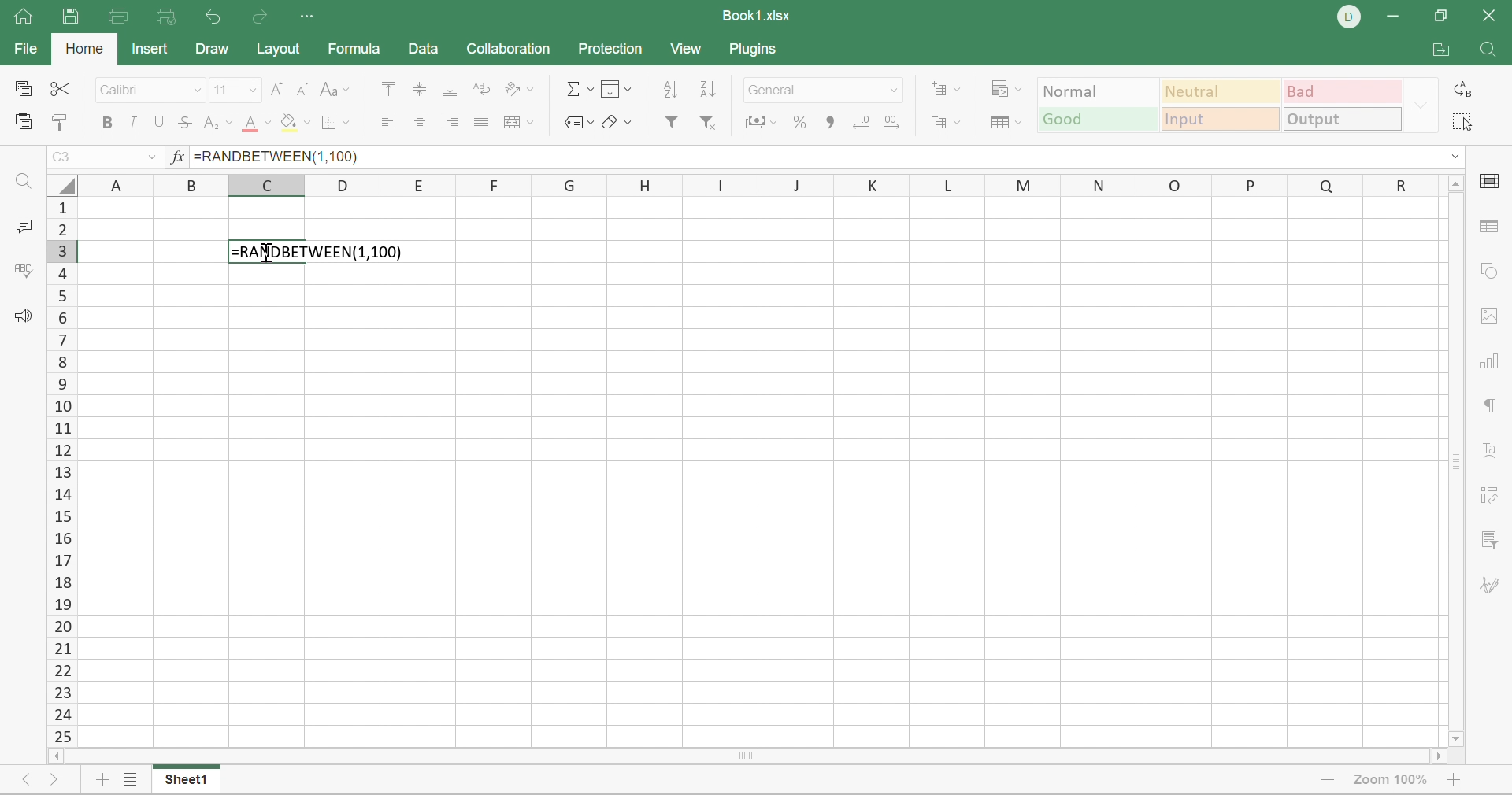 Image resolution: width=1512 pixels, height=795 pixels. What do you see at coordinates (744, 756) in the screenshot?
I see `Scroll Bar` at bounding box center [744, 756].